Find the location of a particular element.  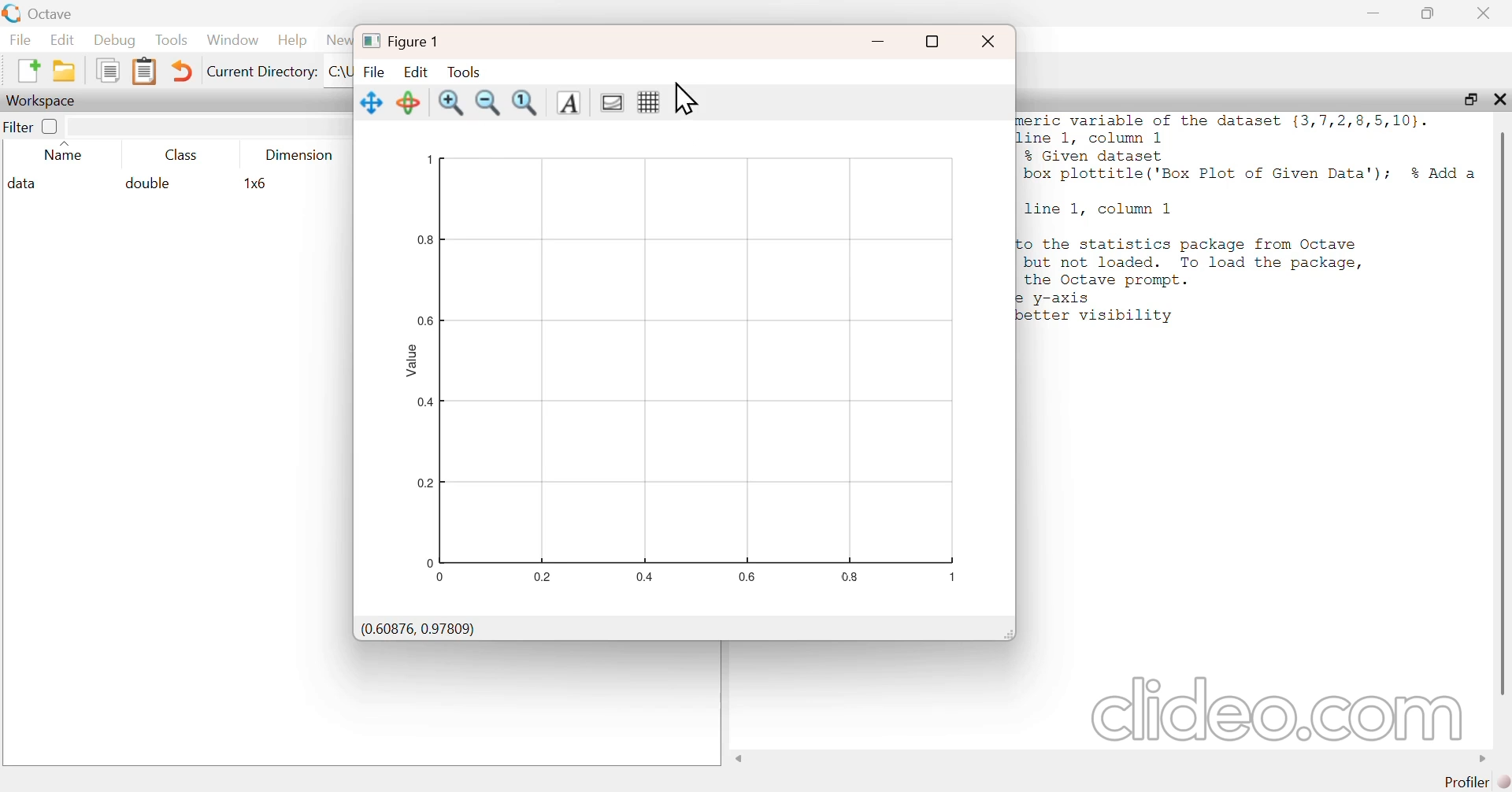

double is located at coordinates (150, 183).